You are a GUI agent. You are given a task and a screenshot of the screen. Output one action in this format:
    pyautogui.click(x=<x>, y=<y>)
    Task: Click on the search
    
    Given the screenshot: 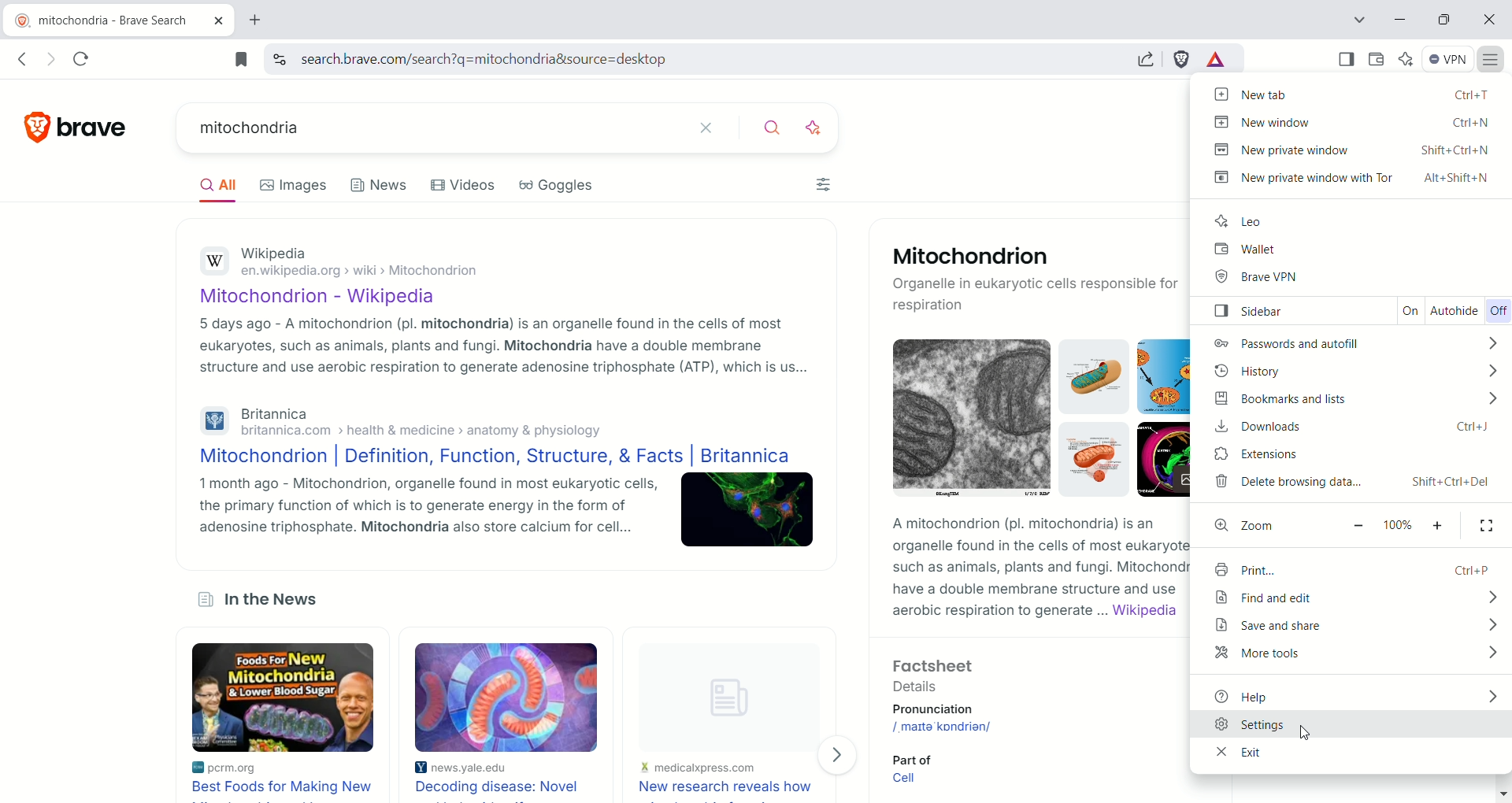 What is the action you would take?
    pyautogui.click(x=772, y=128)
    